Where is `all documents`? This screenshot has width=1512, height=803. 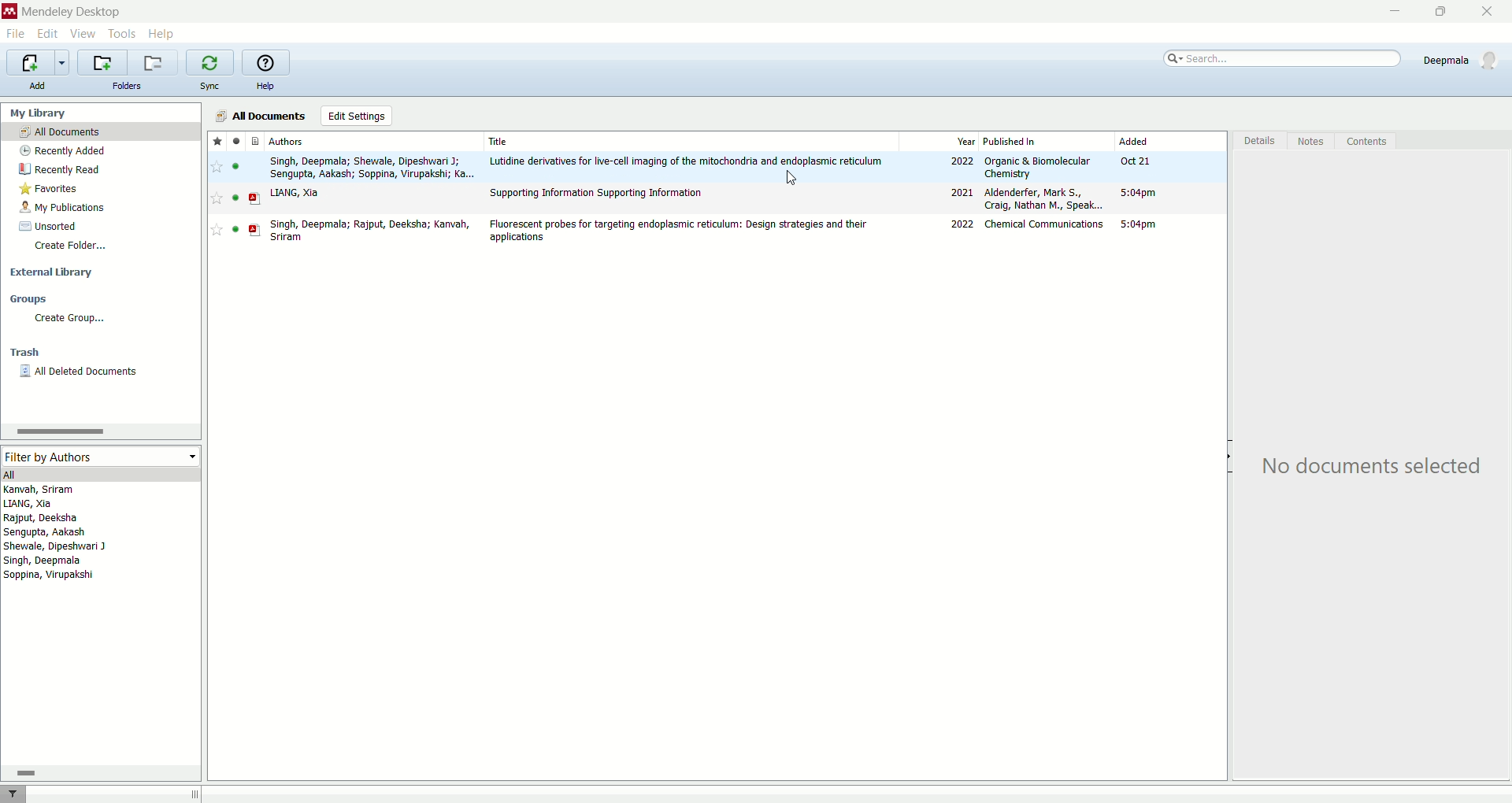 all documents is located at coordinates (101, 131).